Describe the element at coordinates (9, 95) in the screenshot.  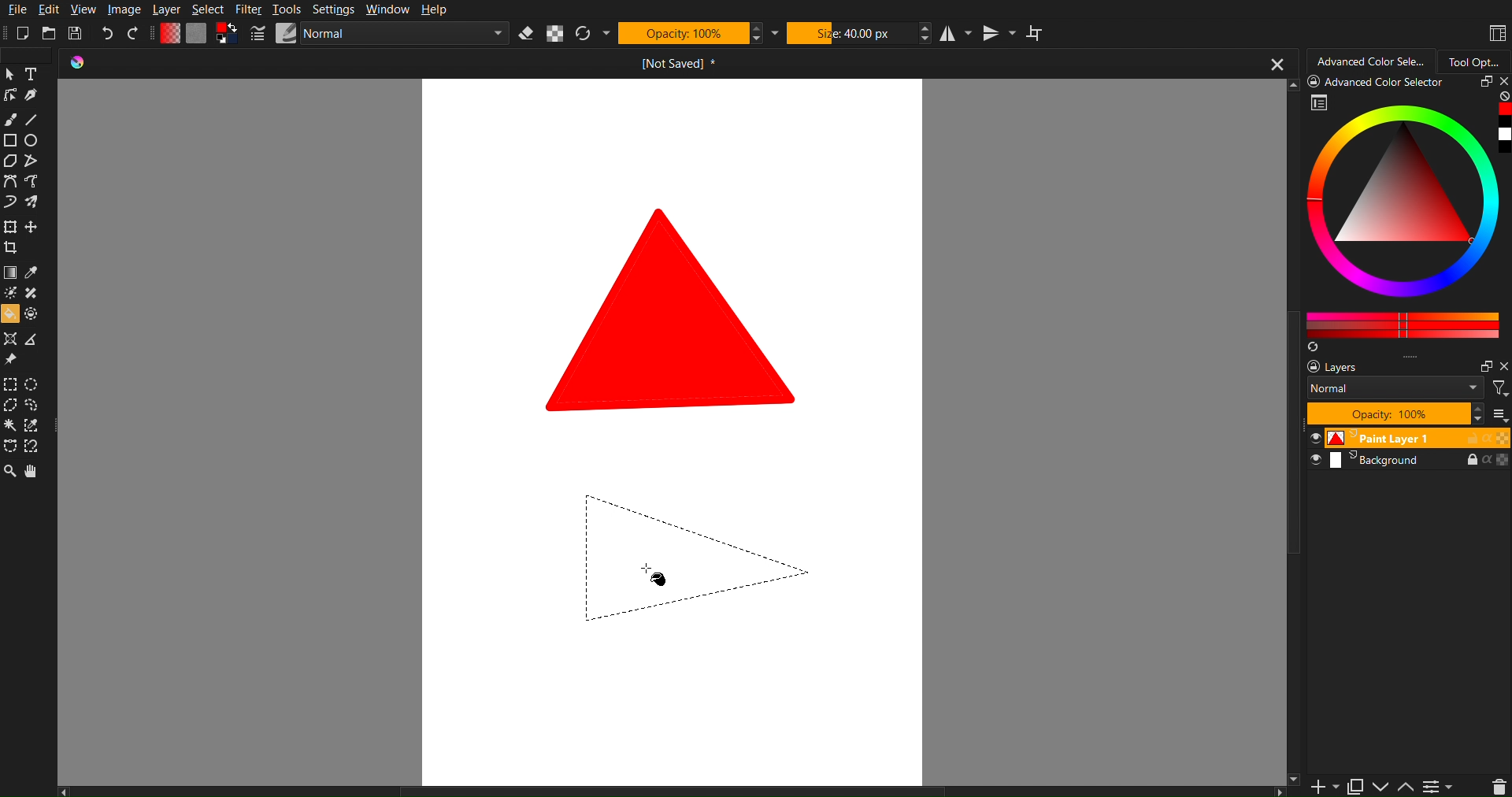
I see `Lineart Tools` at that location.